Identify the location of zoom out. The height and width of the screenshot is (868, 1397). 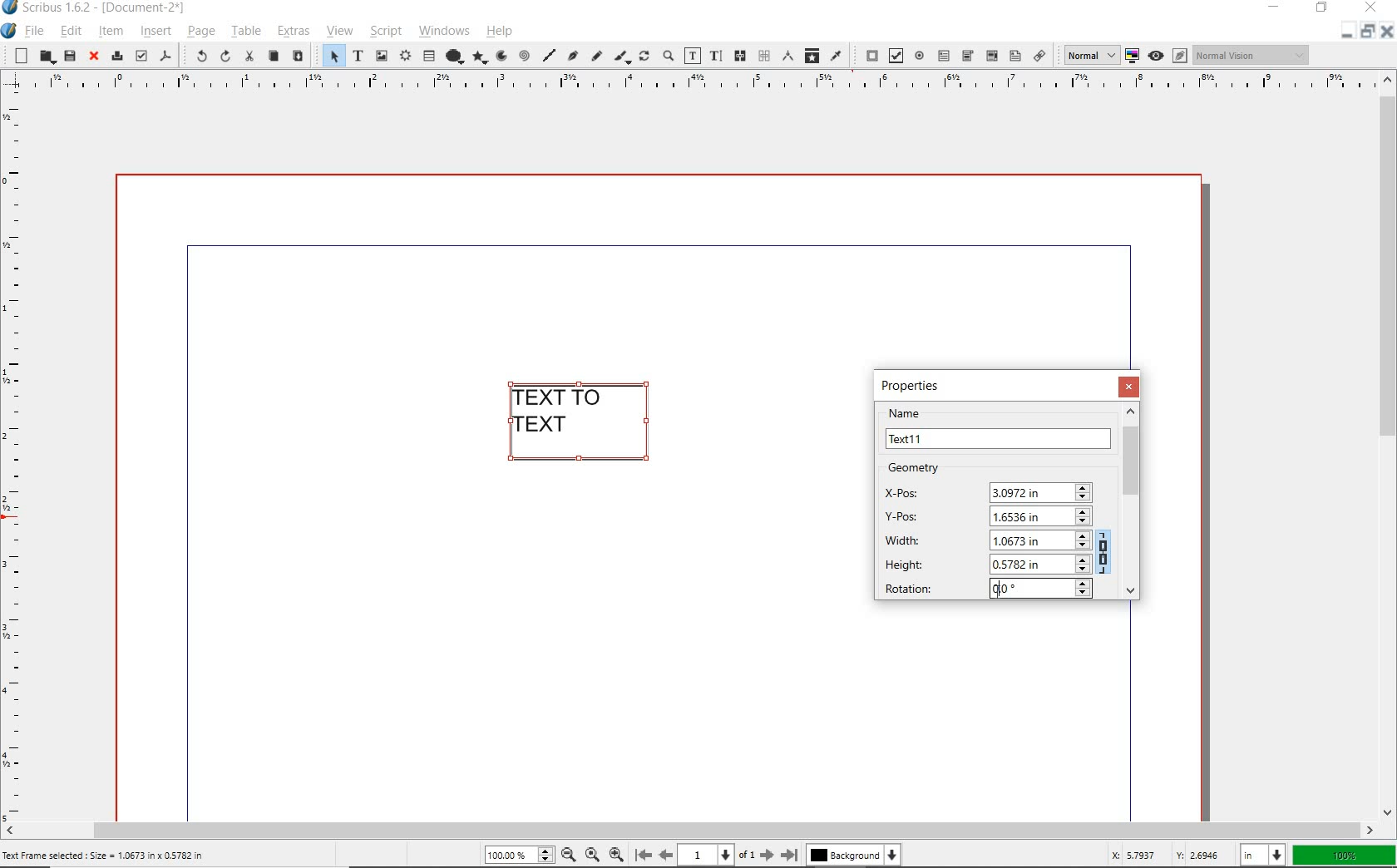
(573, 854).